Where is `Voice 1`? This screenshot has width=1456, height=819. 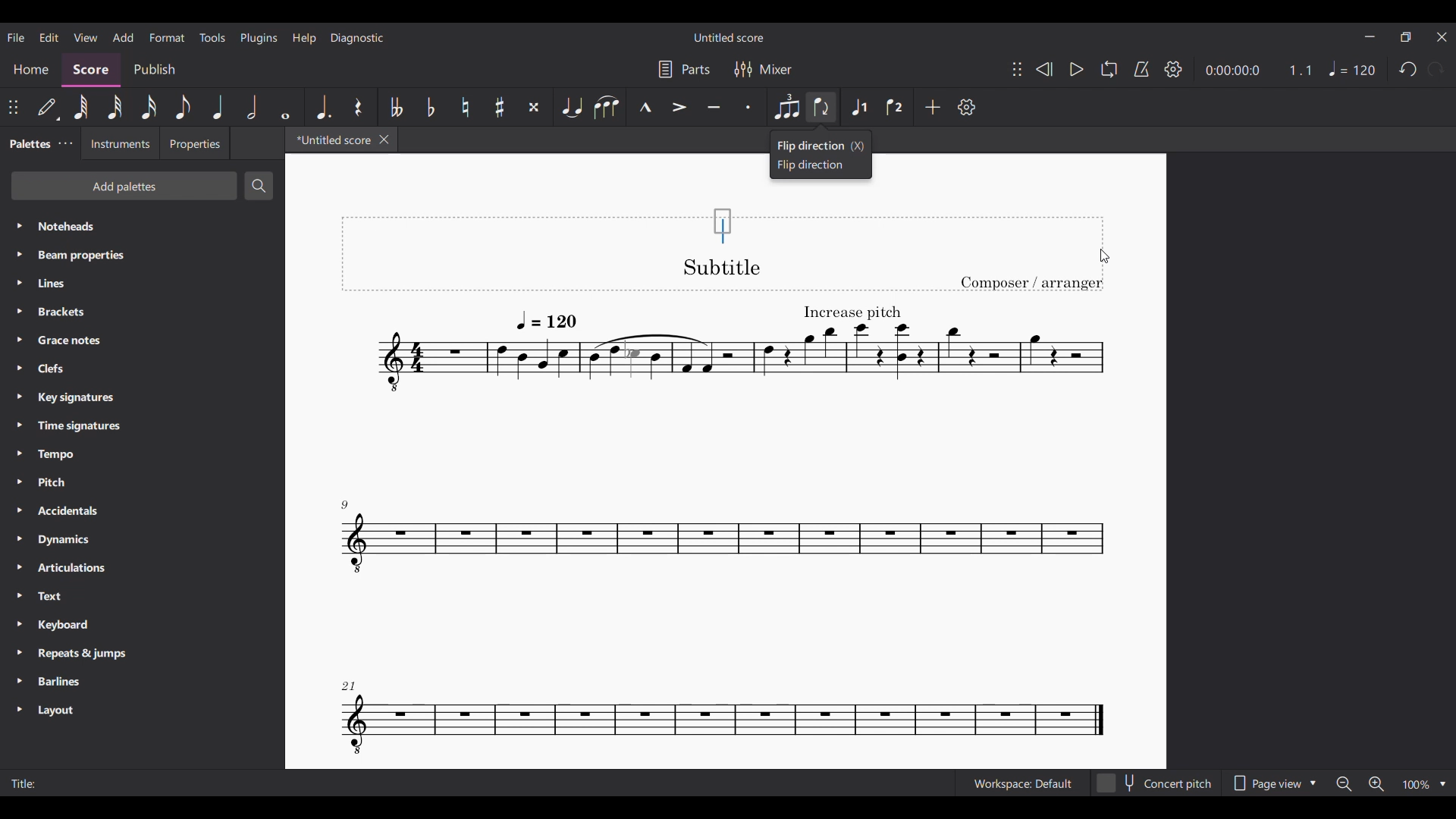
Voice 1 is located at coordinates (859, 107).